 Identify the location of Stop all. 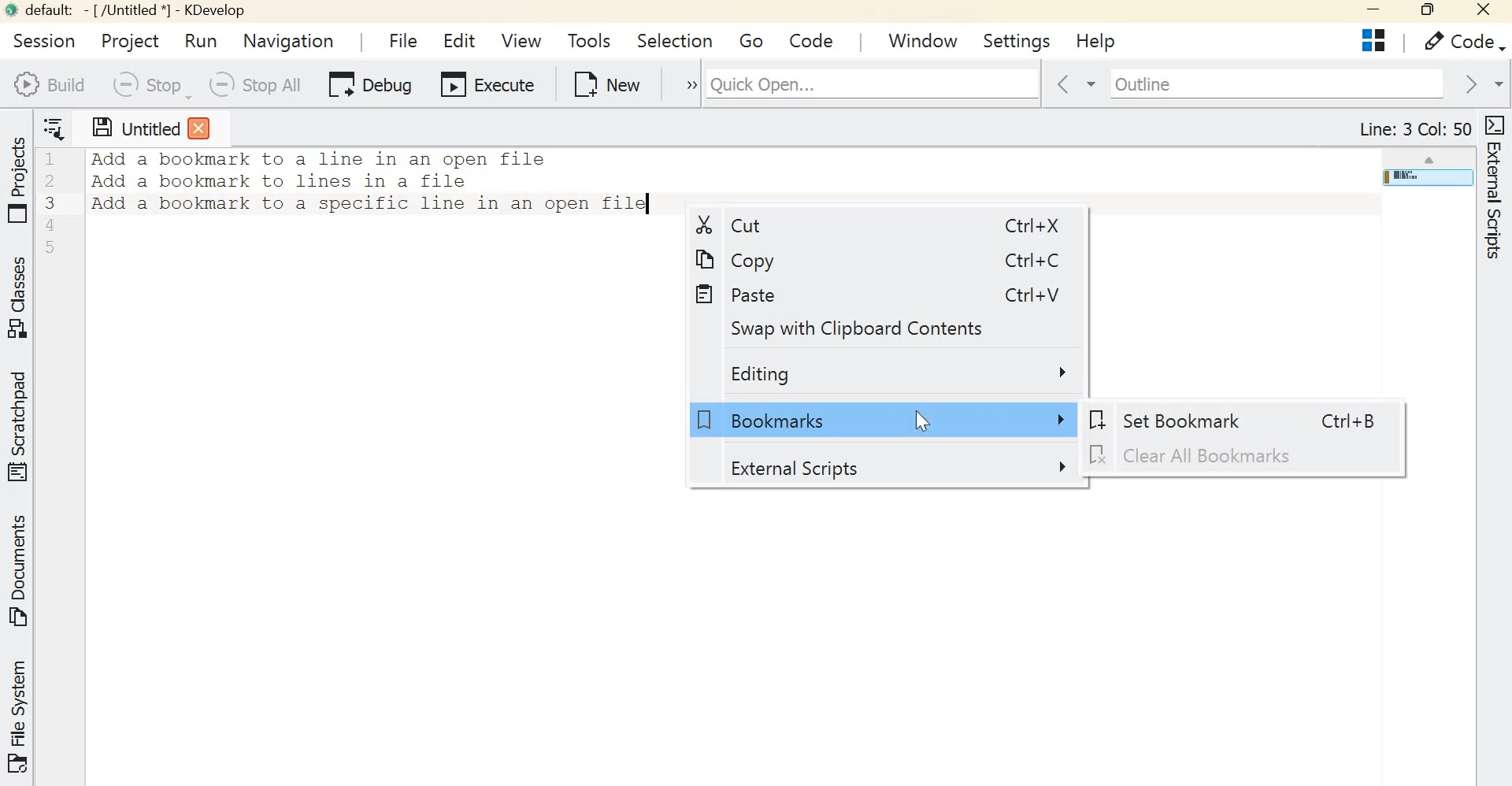
(258, 83).